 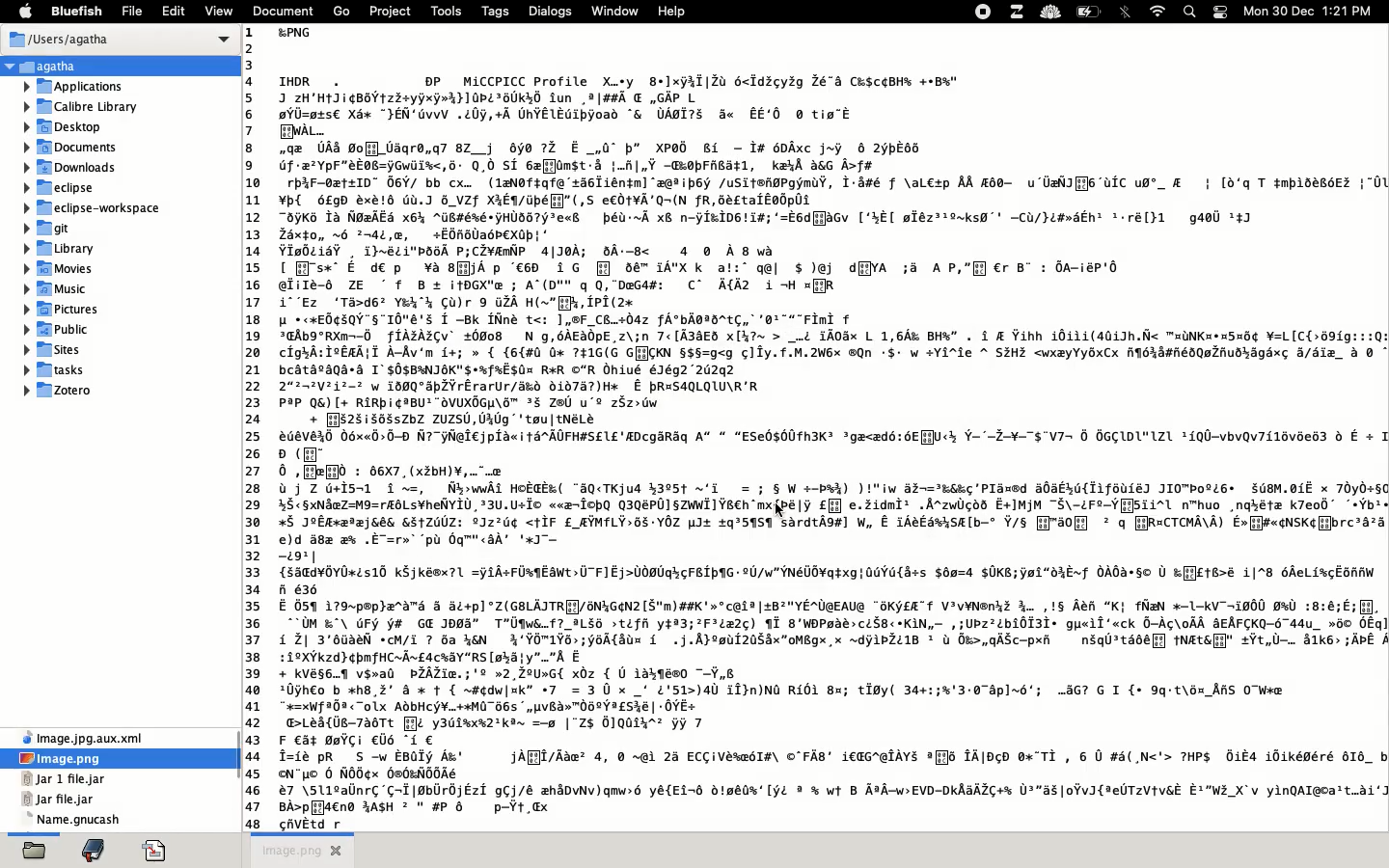 I want to click on open, so click(x=35, y=850).